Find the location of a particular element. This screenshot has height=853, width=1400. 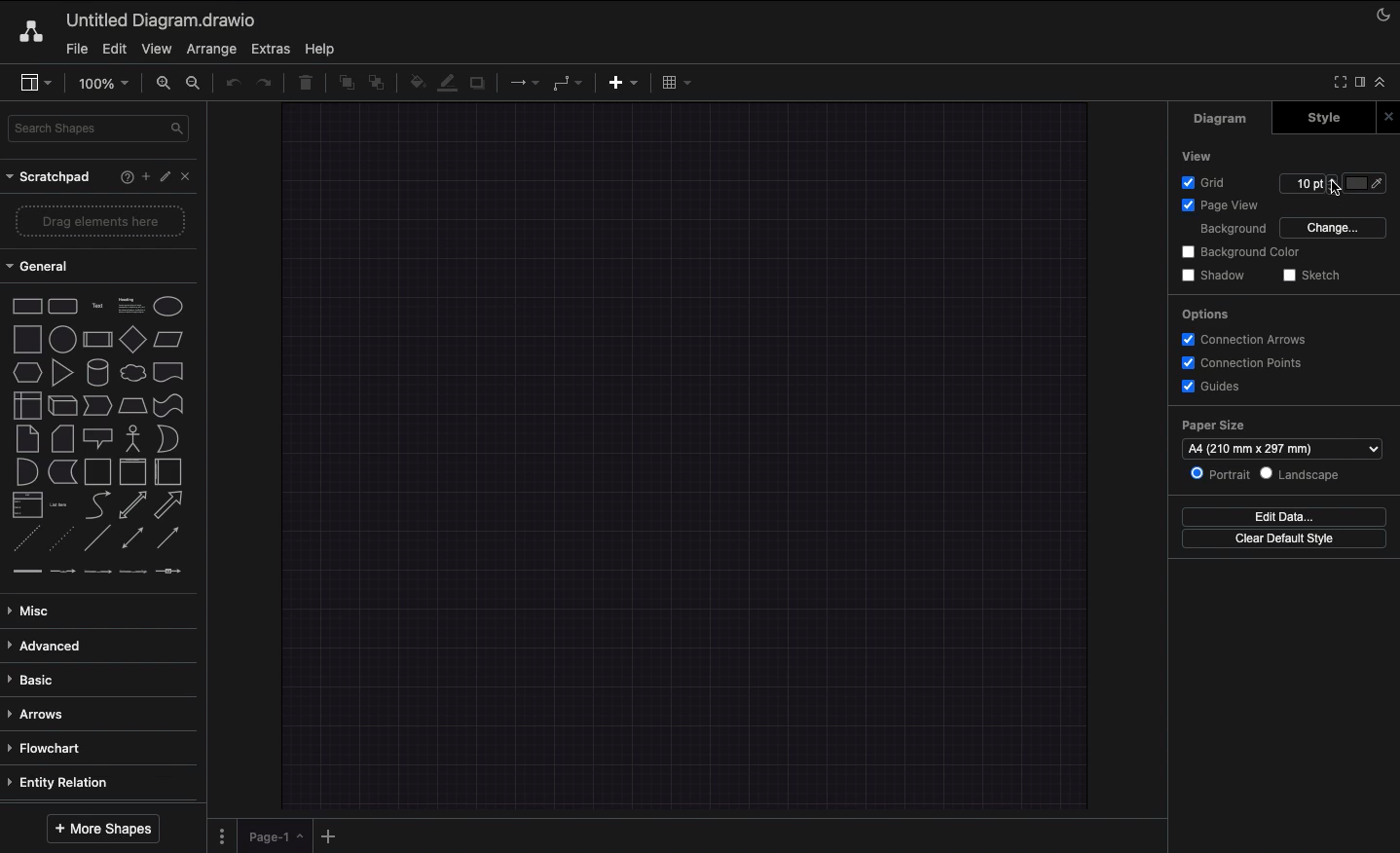

Move to back is located at coordinates (378, 85).